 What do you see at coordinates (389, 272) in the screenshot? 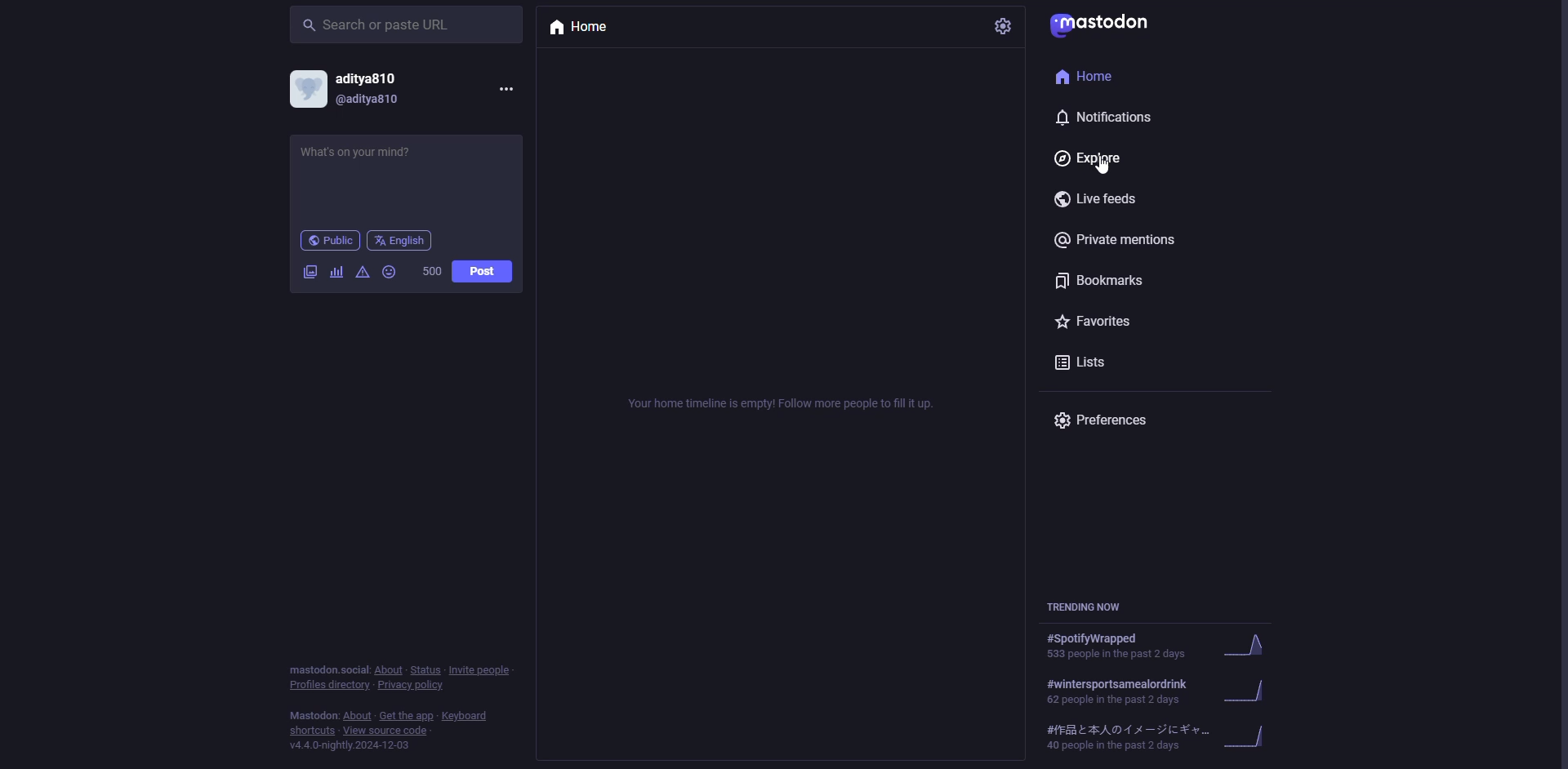
I see `emoji` at bounding box center [389, 272].